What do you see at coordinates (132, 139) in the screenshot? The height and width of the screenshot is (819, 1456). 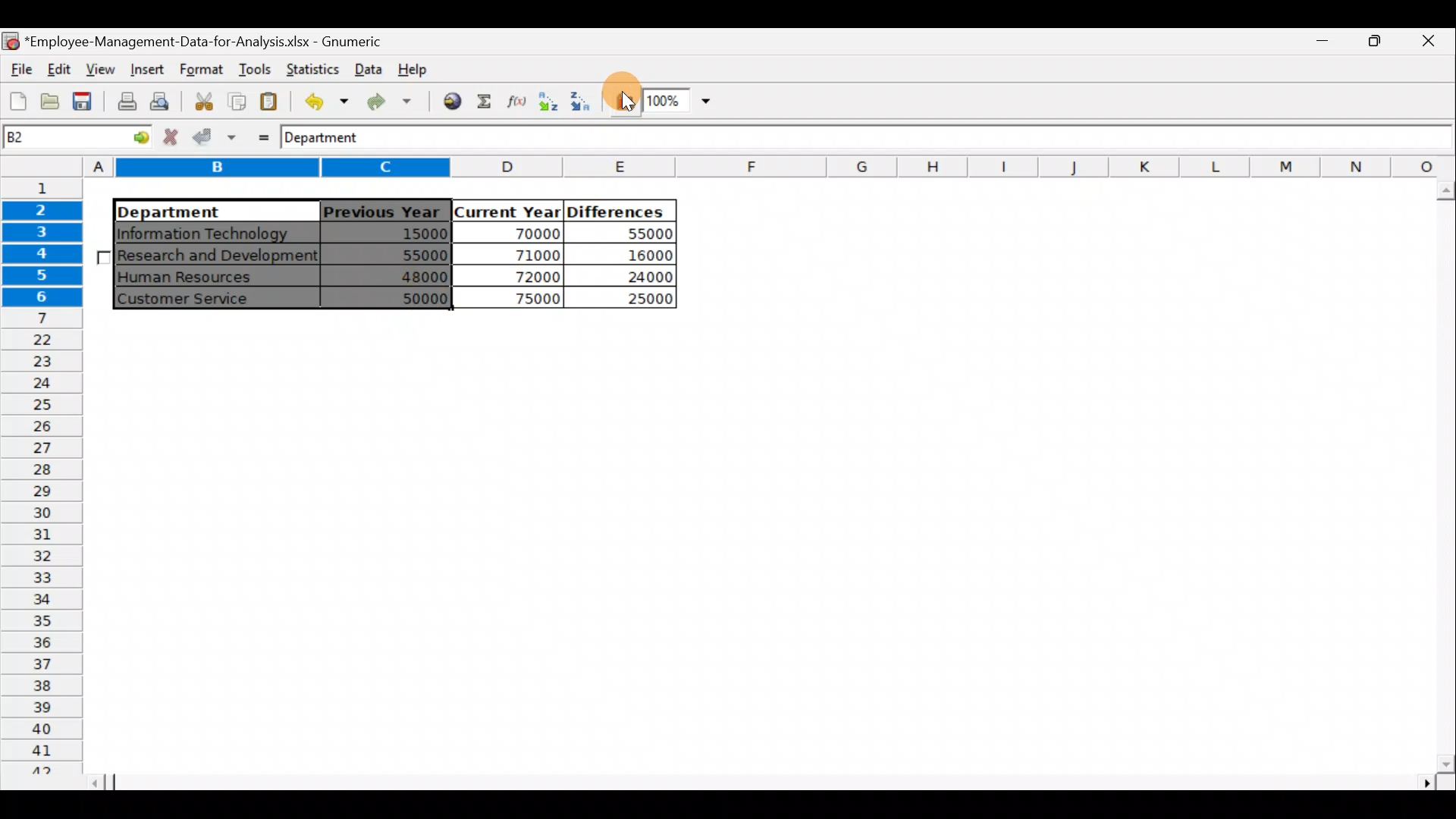 I see `go to` at bounding box center [132, 139].